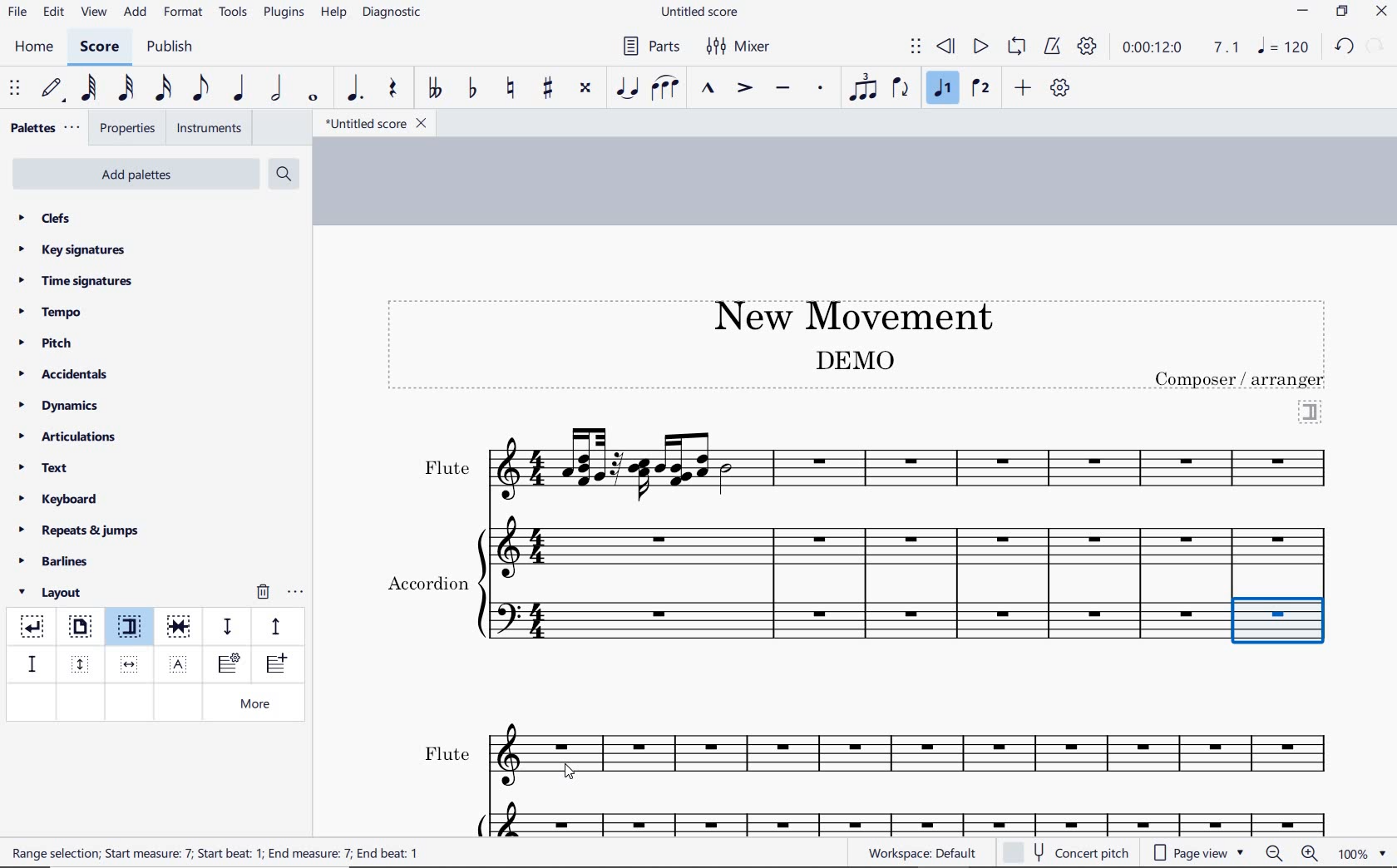  I want to click on toggle sharp, so click(550, 89).